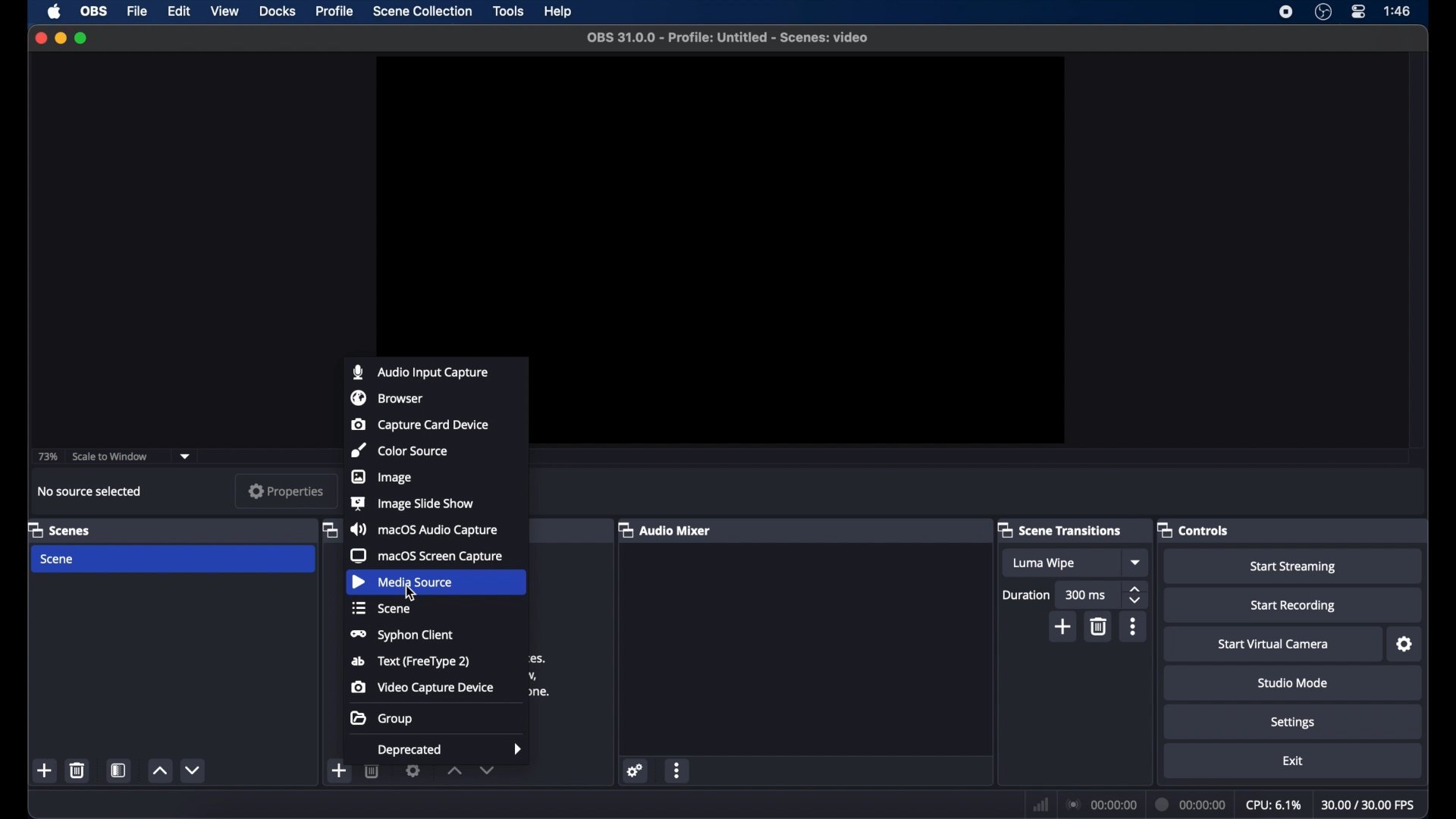 Image resolution: width=1456 pixels, height=819 pixels. What do you see at coordinates (110, 457) in the screenshot?
I see `scale to window` at bounding box center [110, 457].